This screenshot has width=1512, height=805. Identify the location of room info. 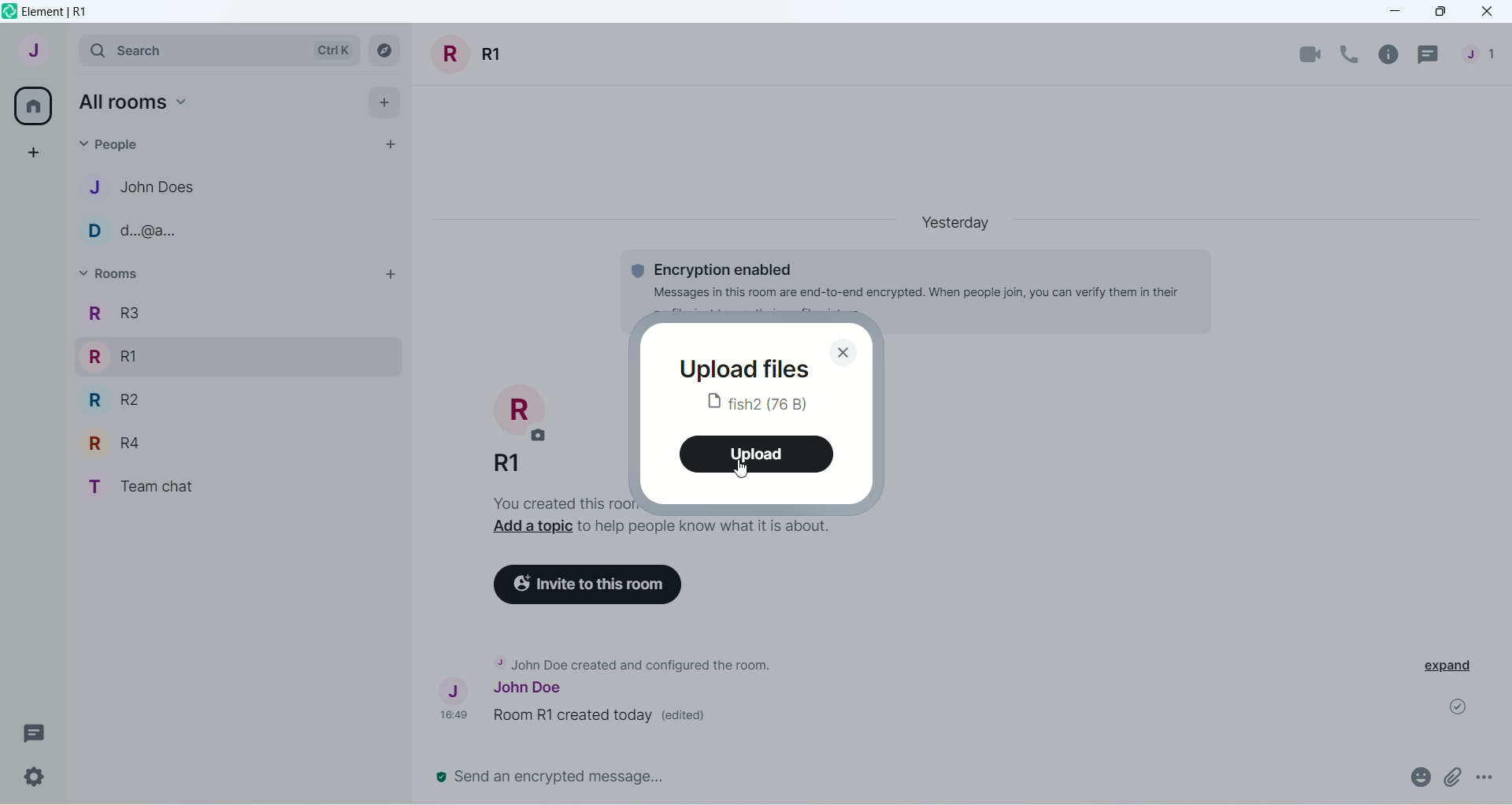
(1388, 55).